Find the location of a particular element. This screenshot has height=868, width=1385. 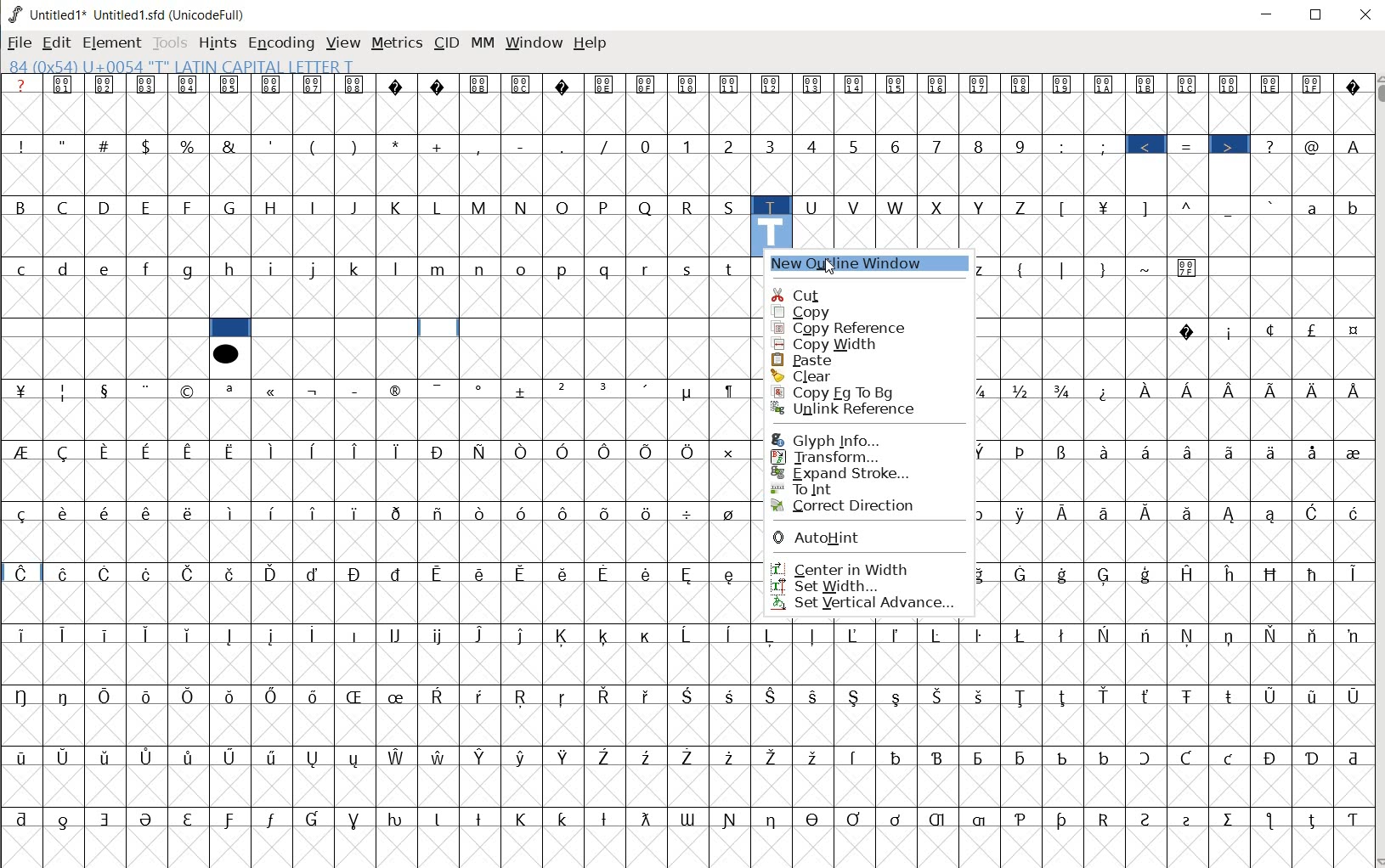

m is located at coordinates (440, 268).